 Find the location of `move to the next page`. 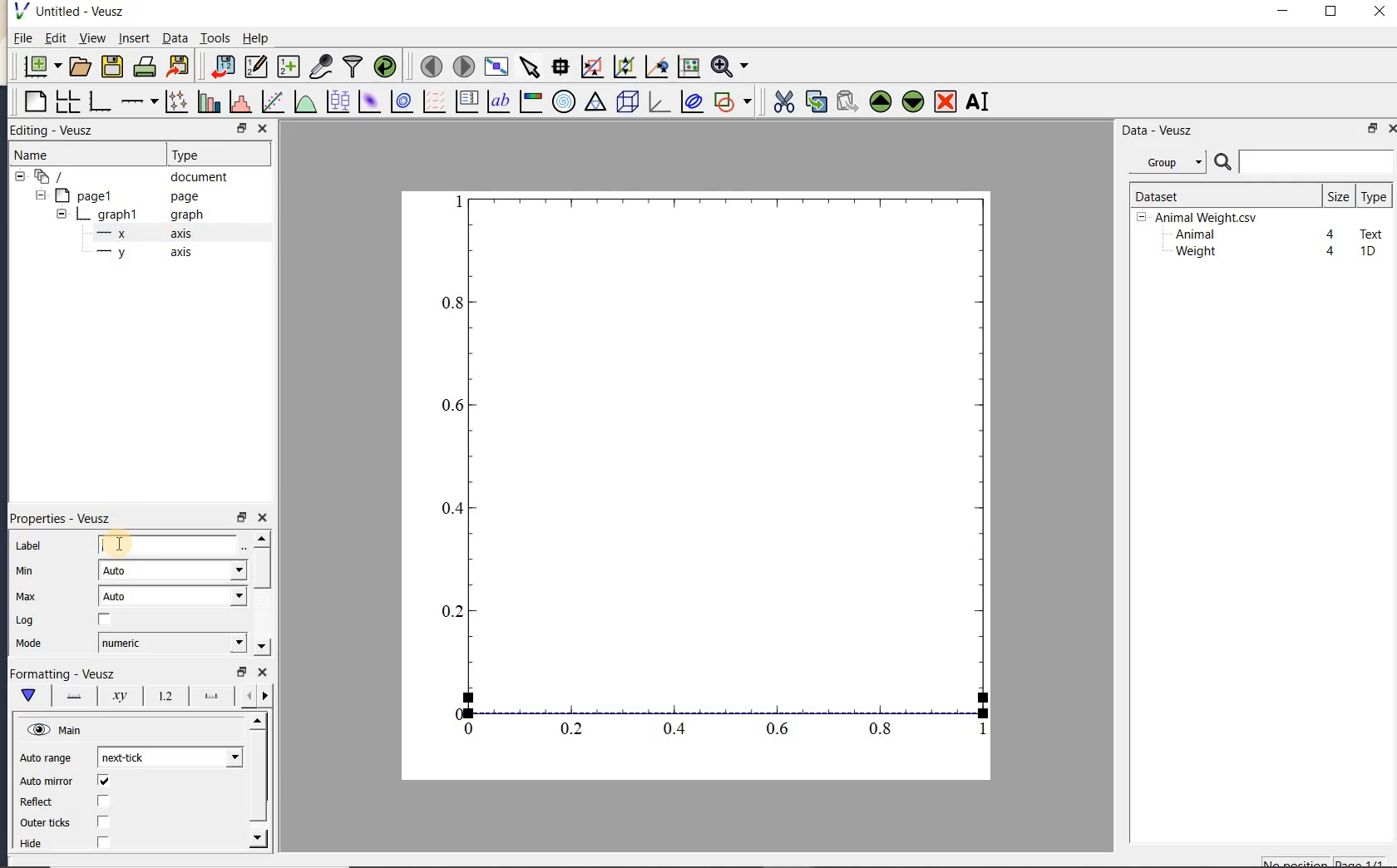

move to the next page is located at coordinates (462, 65).